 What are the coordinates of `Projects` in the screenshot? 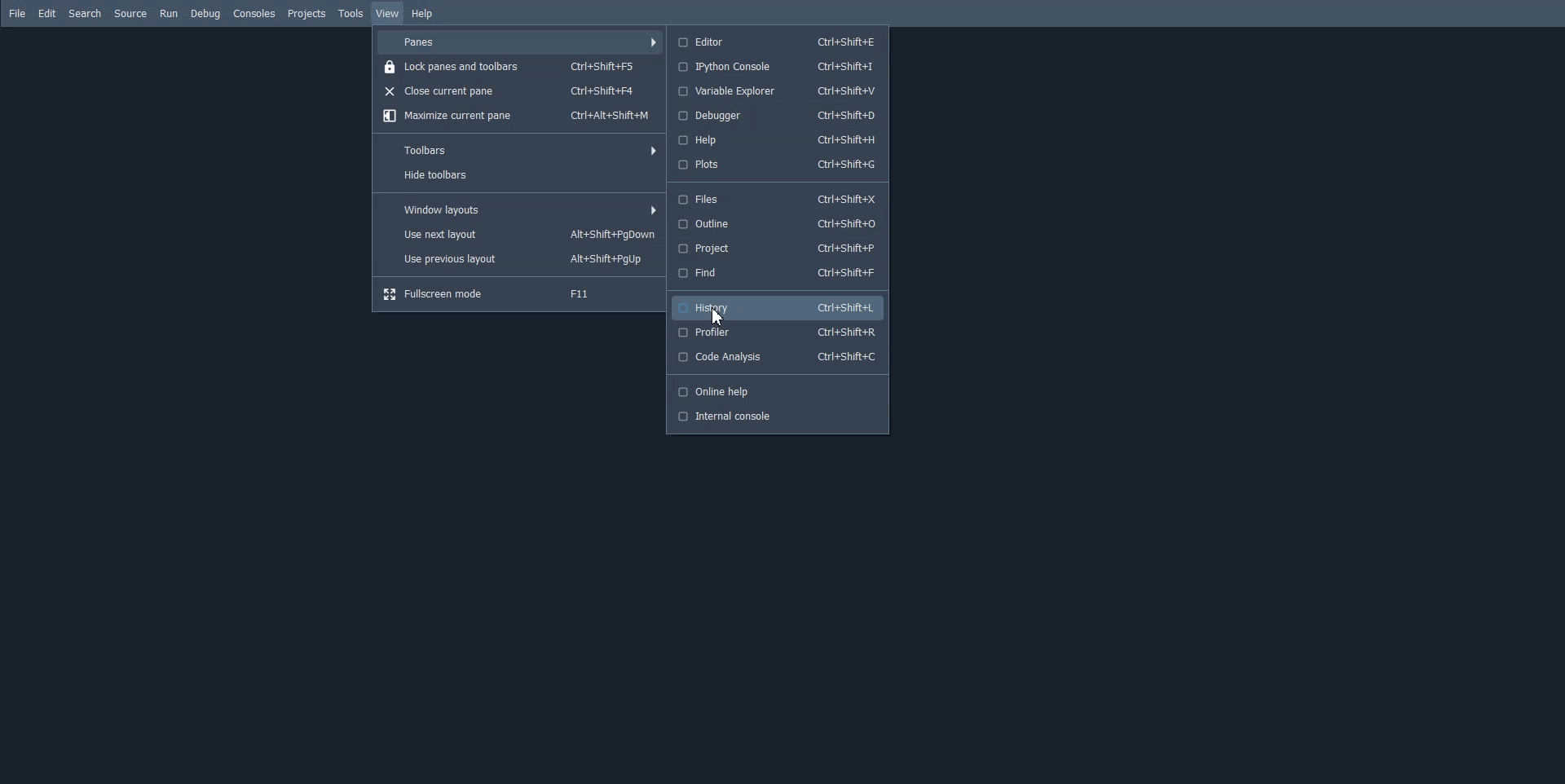 It's located at (306, 14).